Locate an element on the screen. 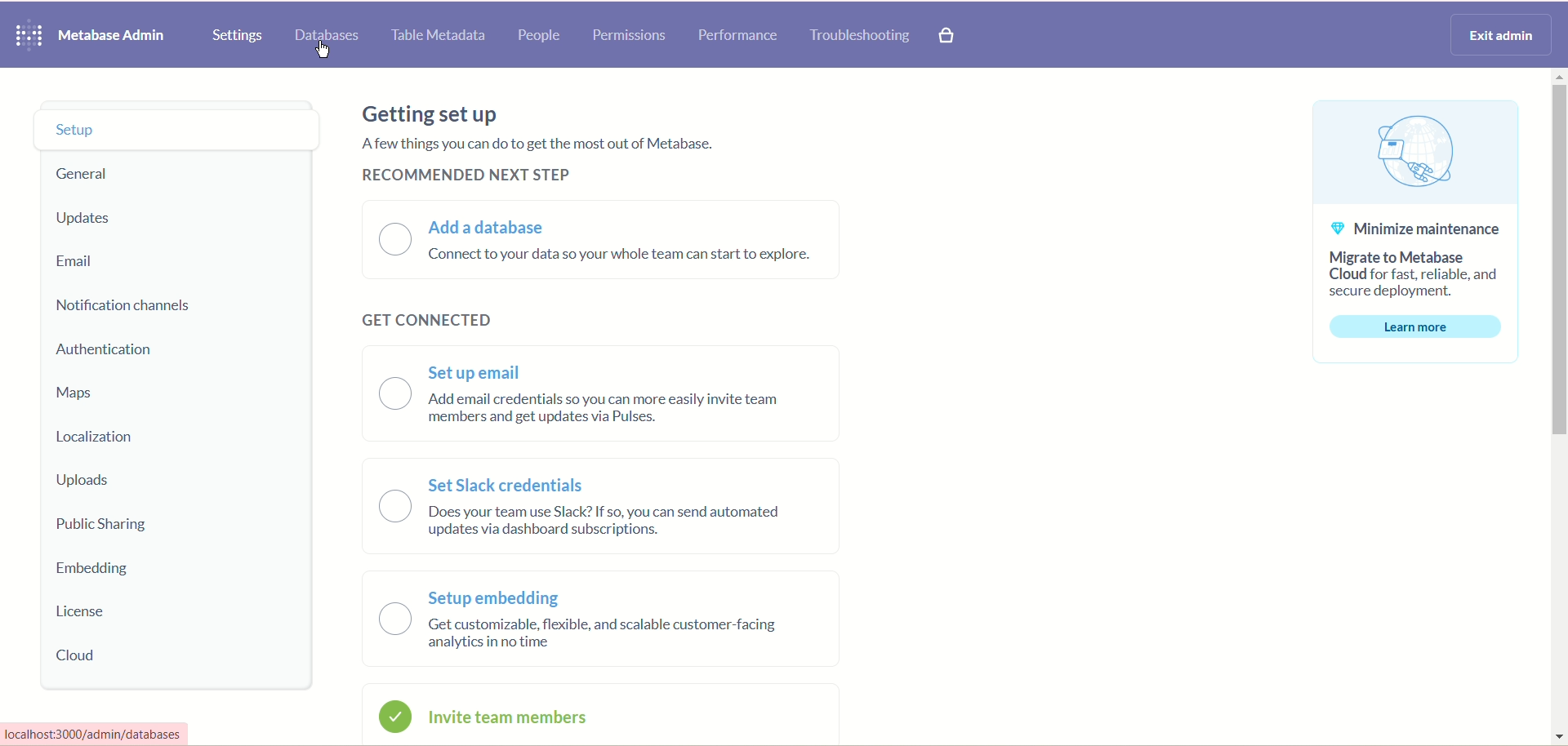 This screenshot has height=746, width=1568. cursor is located at coordinates (326, 53).